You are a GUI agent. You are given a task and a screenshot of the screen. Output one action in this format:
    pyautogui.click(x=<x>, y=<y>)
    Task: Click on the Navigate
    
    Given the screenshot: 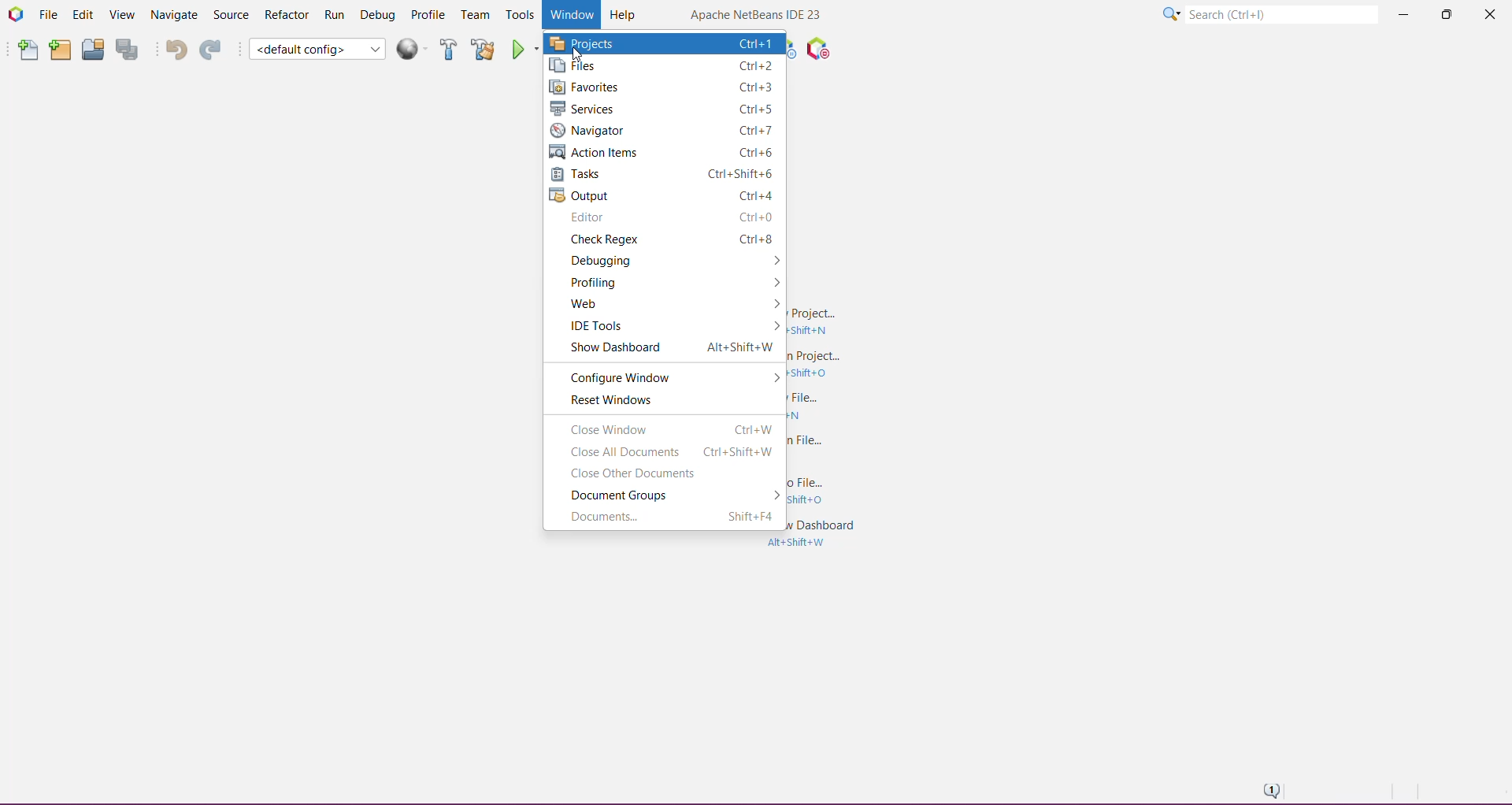 What is the action you would take?
    pyautogui.click(x=172, y=15)
    